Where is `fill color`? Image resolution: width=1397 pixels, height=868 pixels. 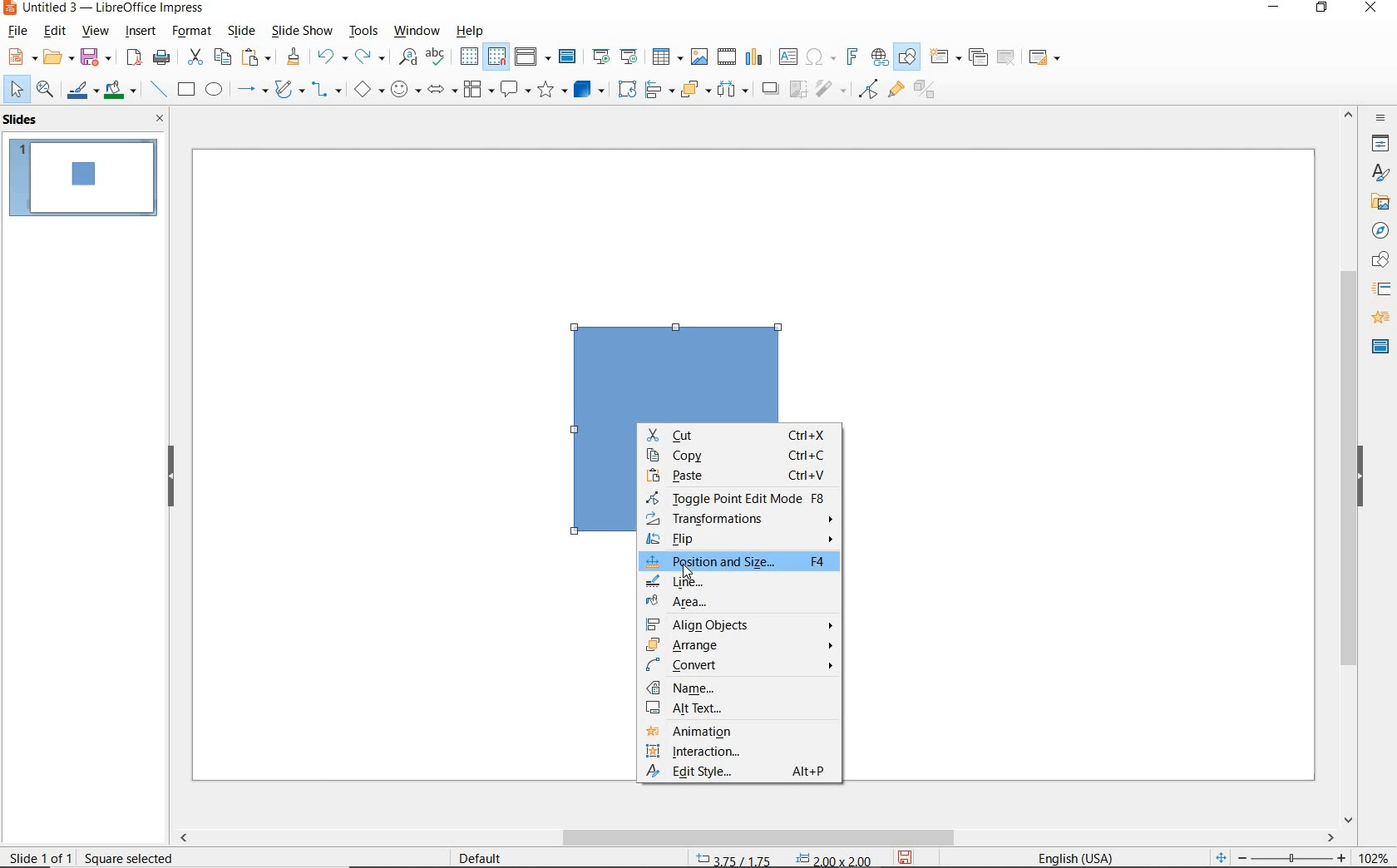 fill color is located at coordinates (122, 90).